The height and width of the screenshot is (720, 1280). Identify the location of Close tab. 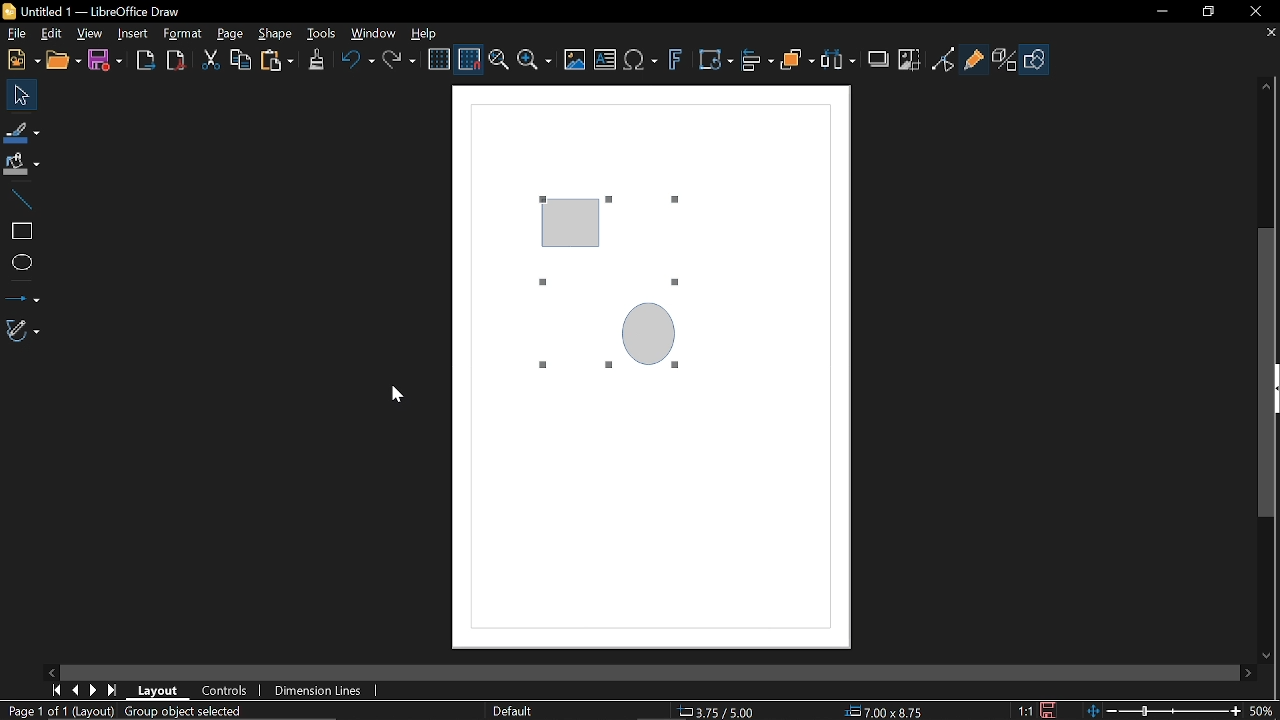
(1270, 32).